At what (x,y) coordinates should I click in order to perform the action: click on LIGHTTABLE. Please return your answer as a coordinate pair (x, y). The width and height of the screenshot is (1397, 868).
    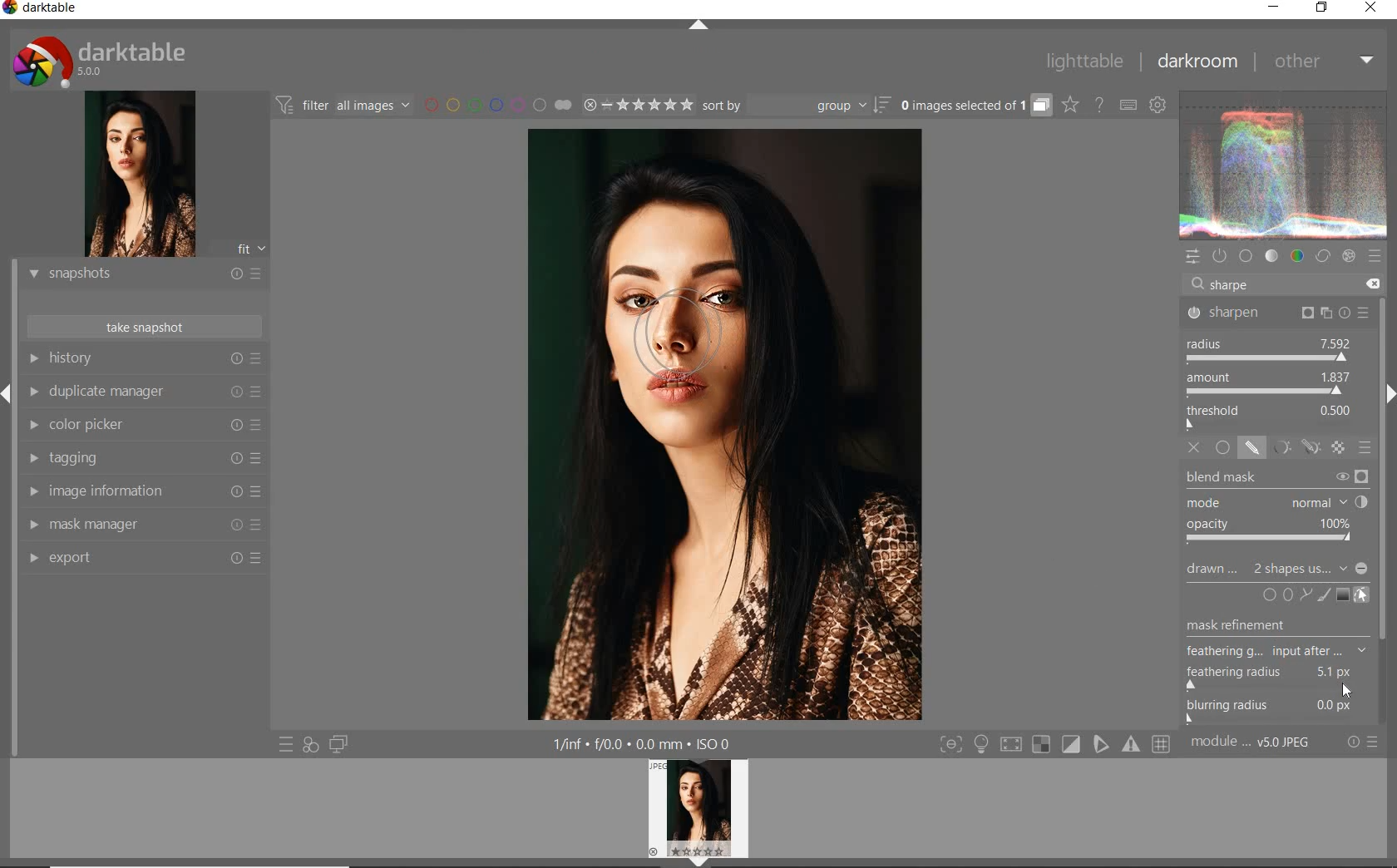
    Looking at the image, I should click on (1083, 62).